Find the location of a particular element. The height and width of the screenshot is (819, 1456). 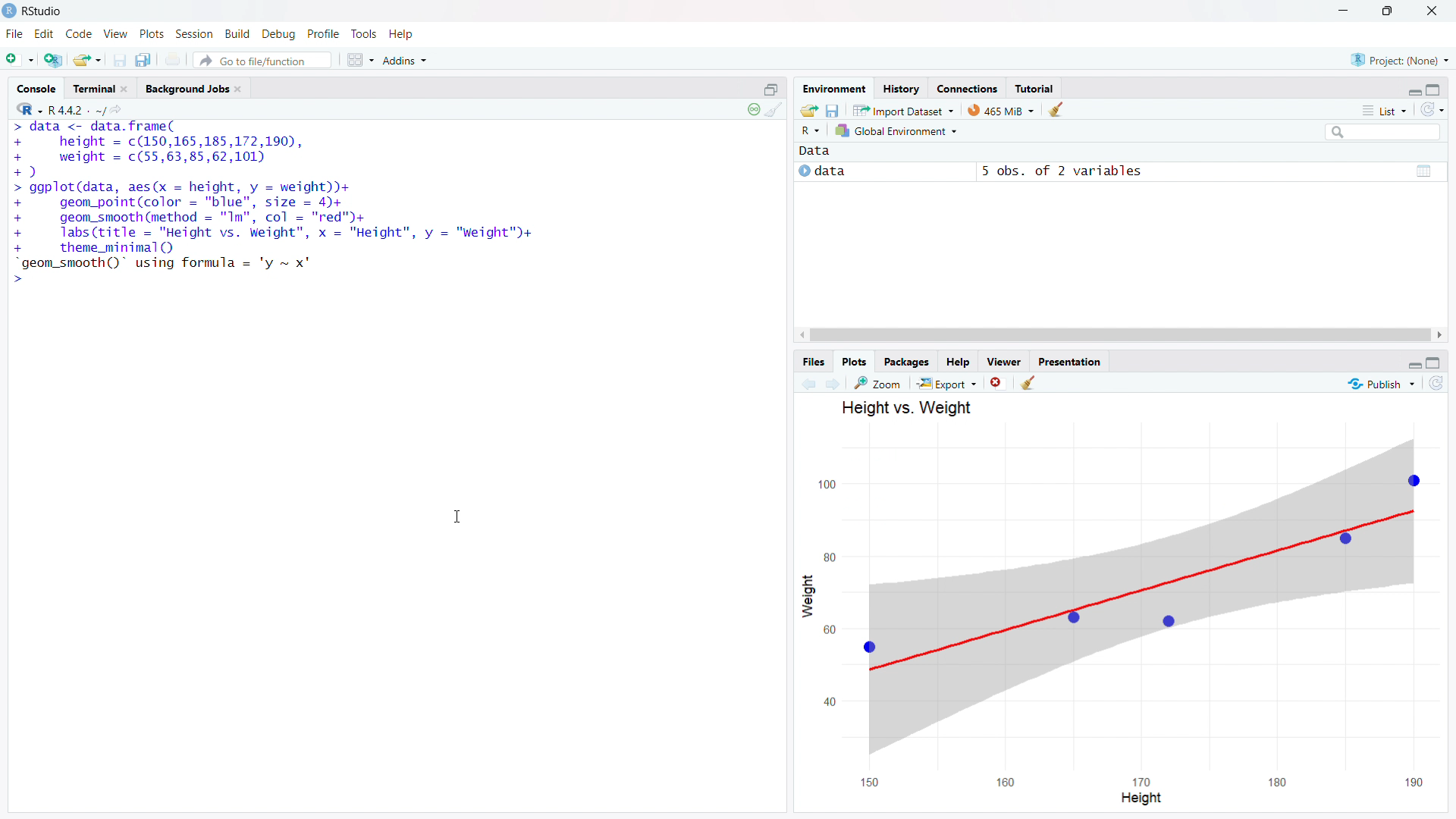

refresh the list of objects is located at coordinates (1432, 109).